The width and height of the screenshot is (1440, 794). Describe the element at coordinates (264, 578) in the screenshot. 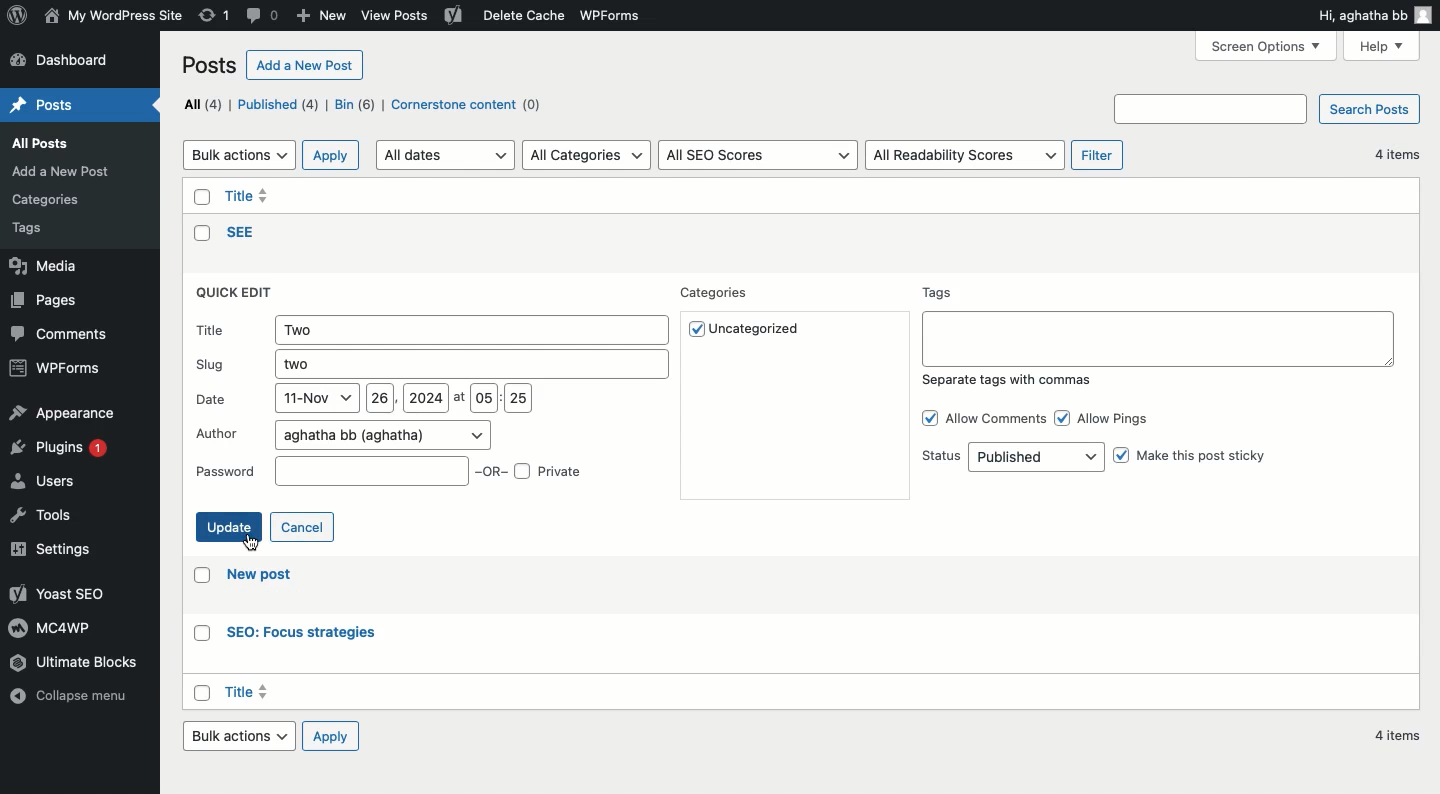

I see `New post` at that location.